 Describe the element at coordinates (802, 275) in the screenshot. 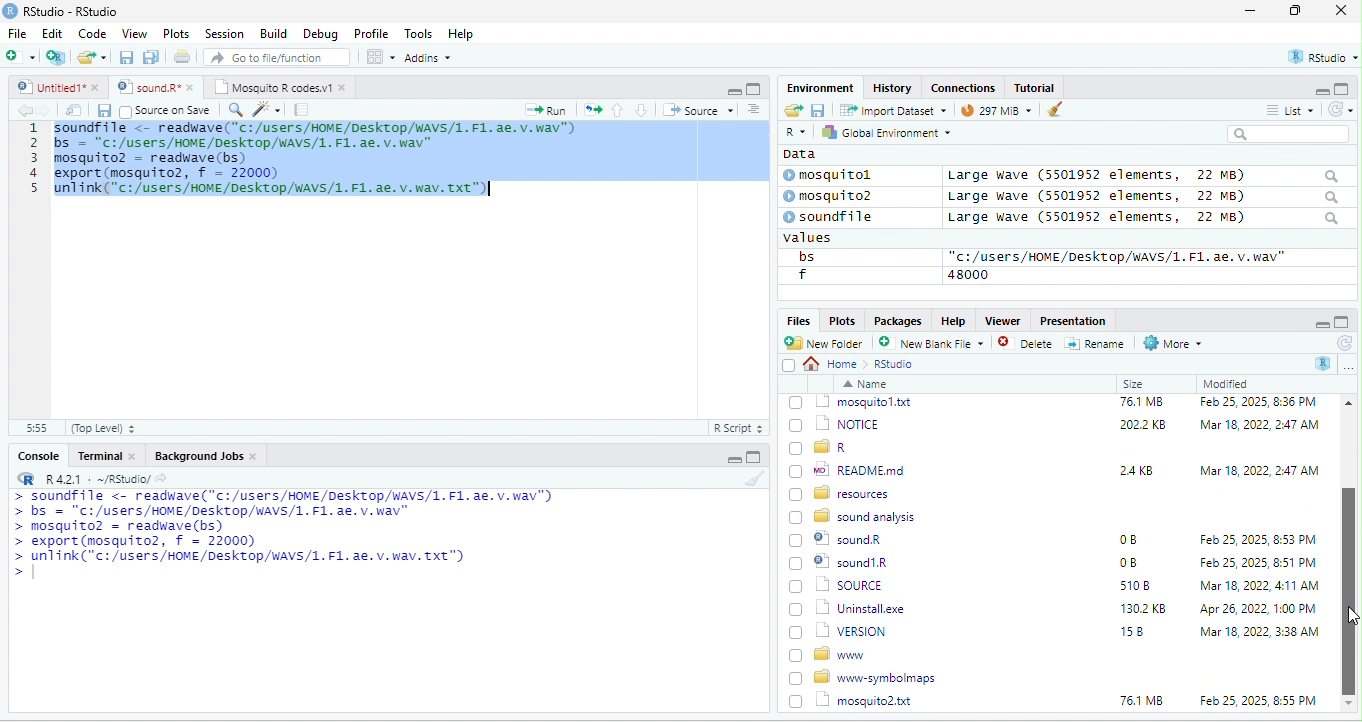

I see `f` at that location.